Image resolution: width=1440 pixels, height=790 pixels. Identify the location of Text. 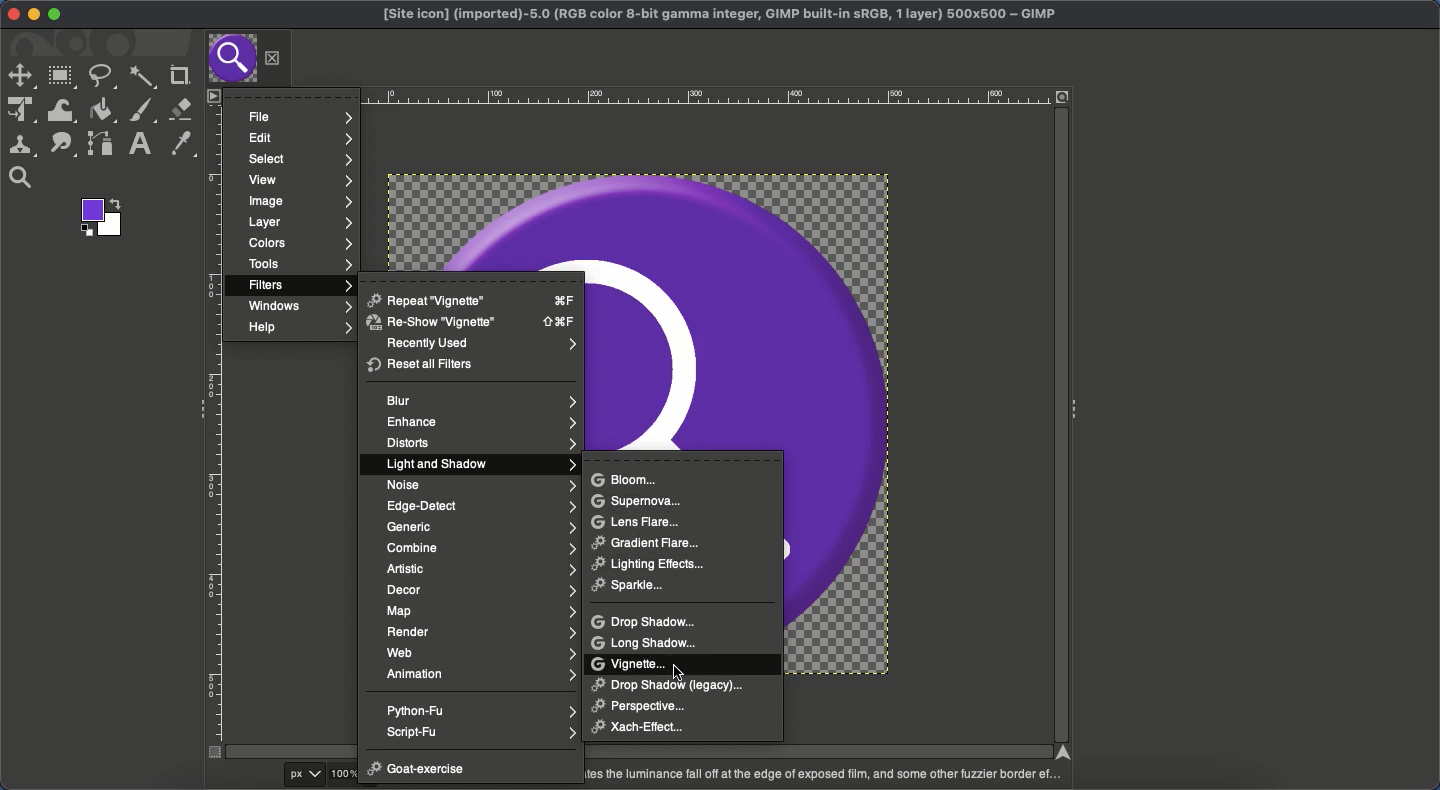
(137, 144).